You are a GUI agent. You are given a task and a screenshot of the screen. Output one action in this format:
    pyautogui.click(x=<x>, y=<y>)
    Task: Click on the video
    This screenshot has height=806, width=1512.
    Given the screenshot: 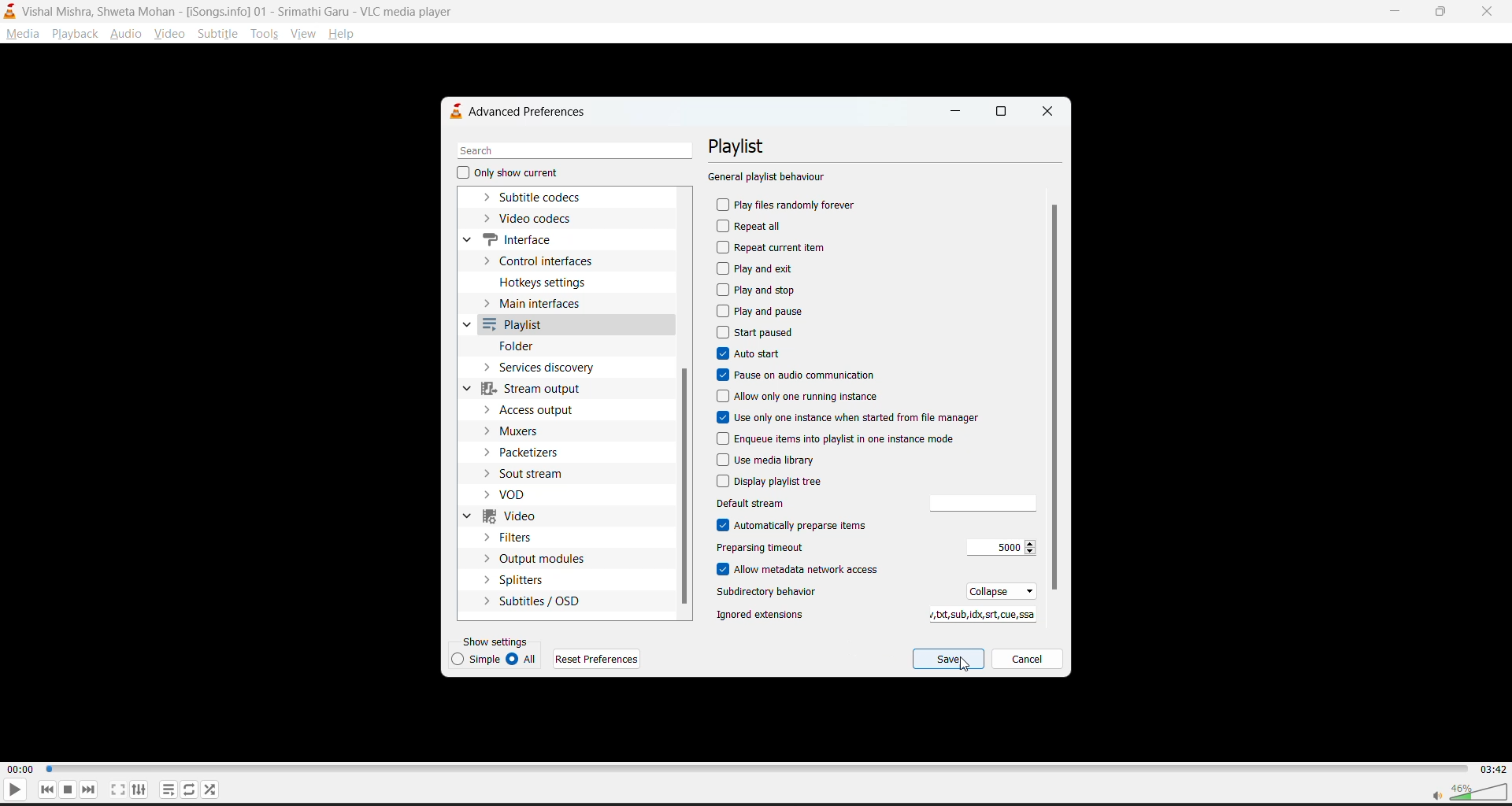 What is the action you would take?
    pyautogui.click(x=165, y=35)
    